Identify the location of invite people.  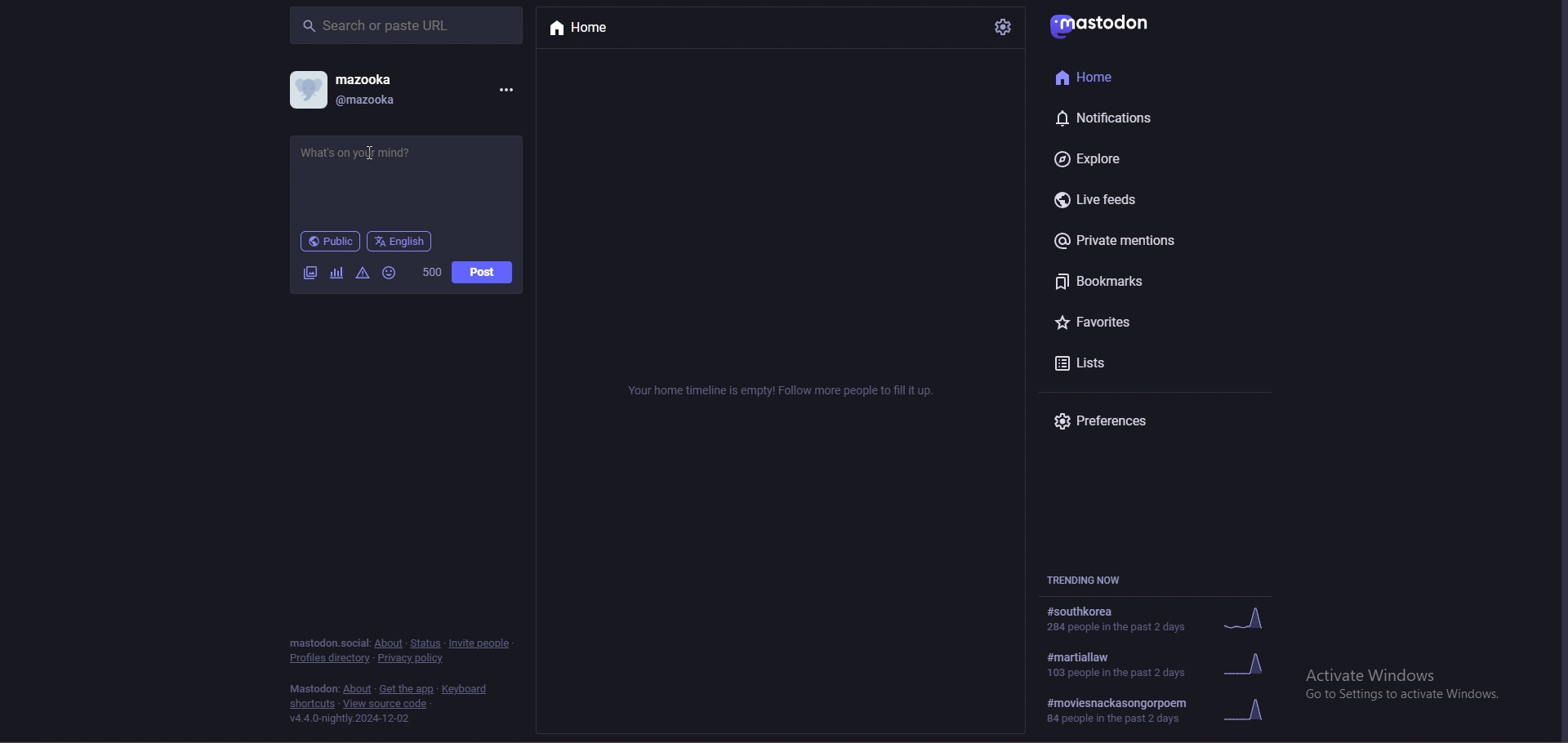
(481, 643).